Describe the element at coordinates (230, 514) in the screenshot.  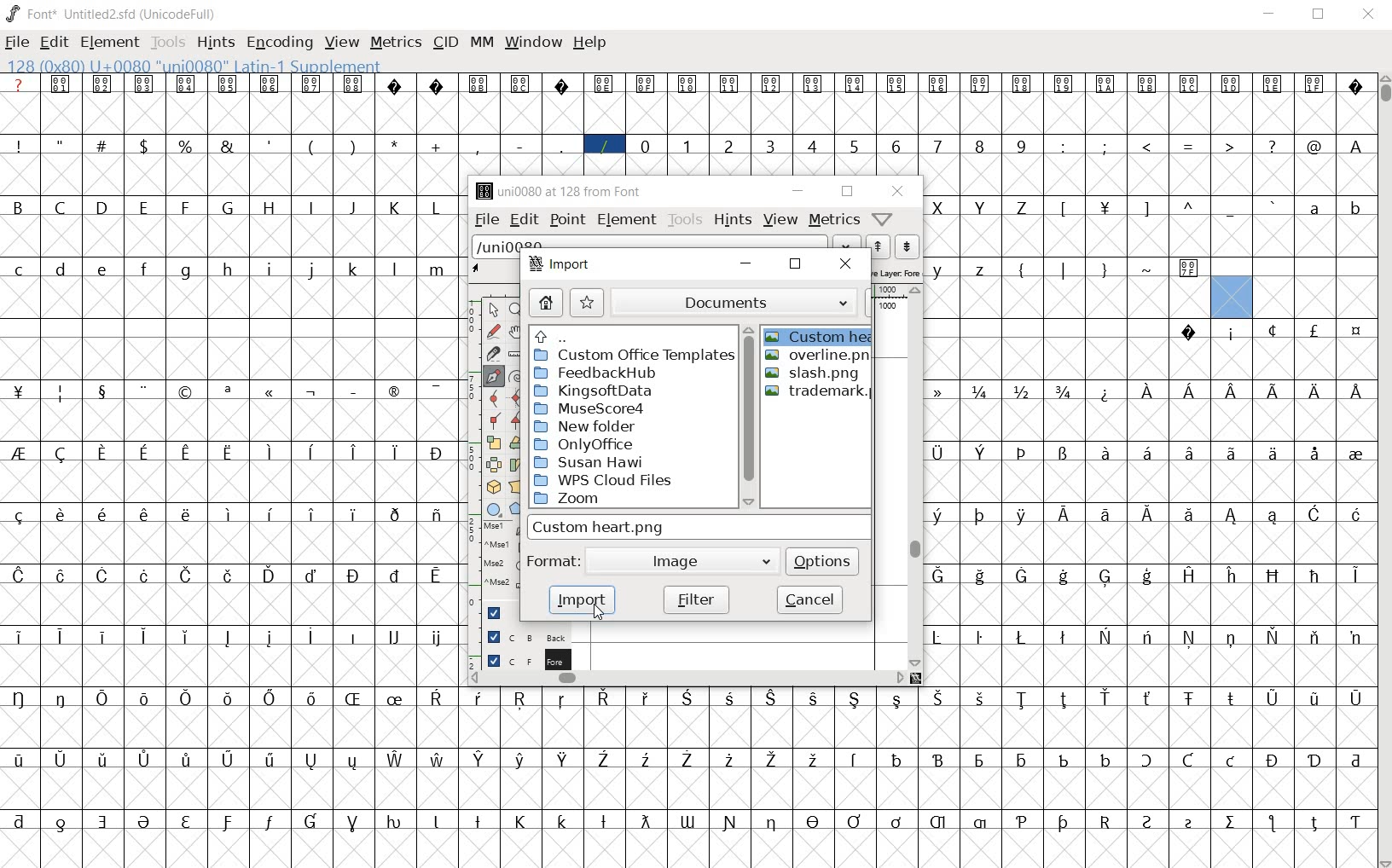
I see `glyph` at that location.